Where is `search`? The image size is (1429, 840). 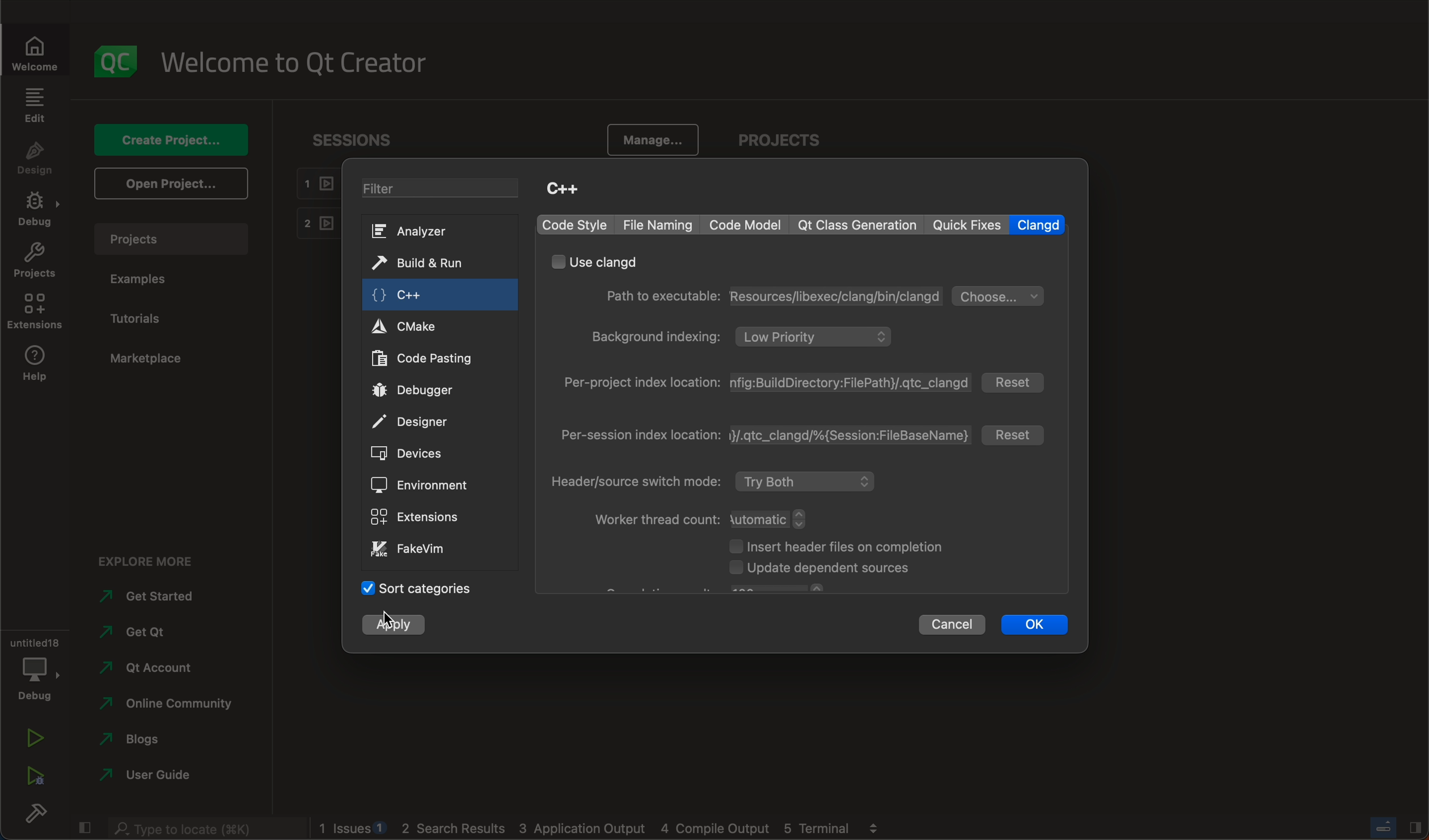
search is located at coordinates (203, 828).